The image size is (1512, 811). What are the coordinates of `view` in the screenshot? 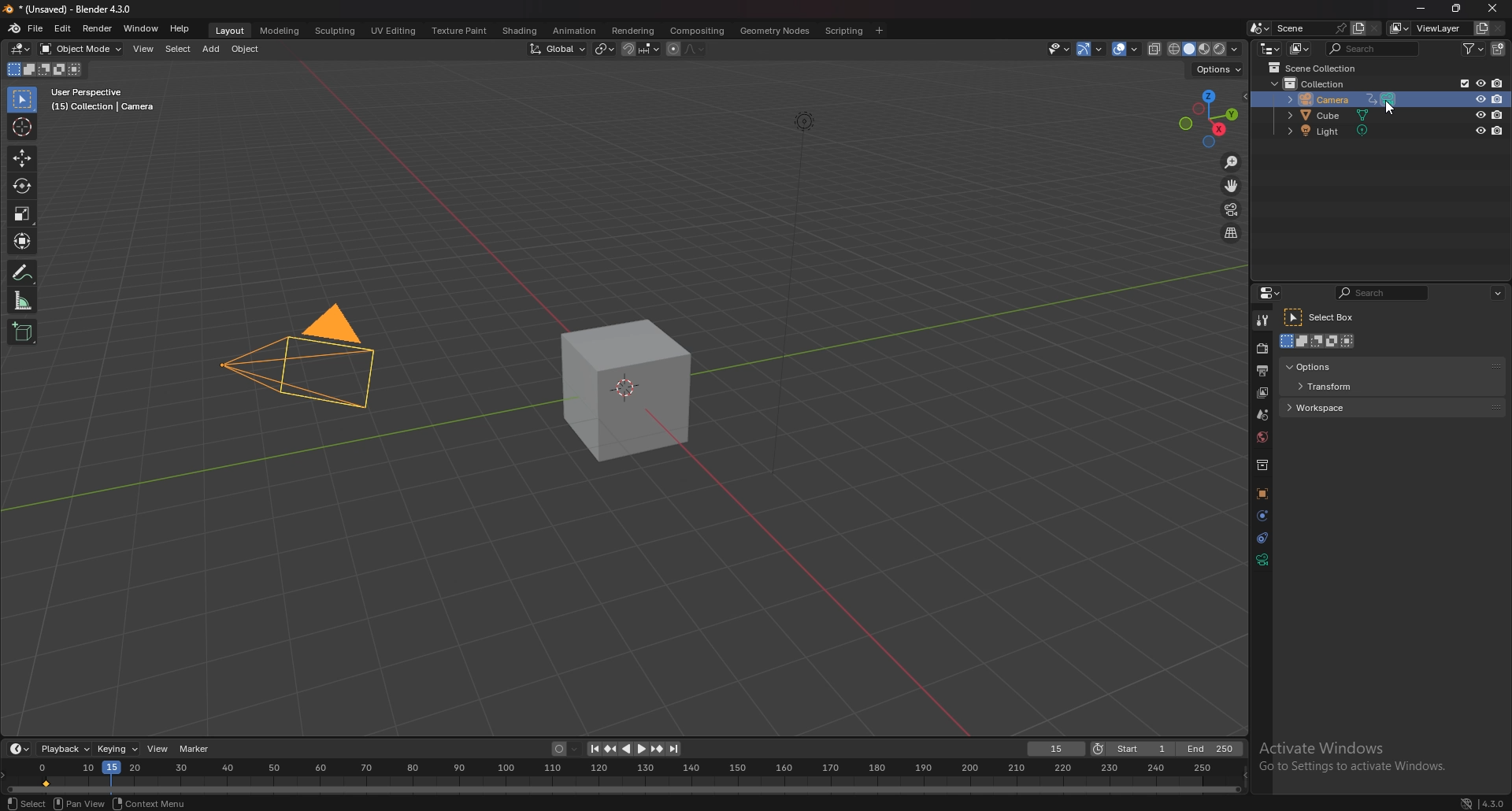 It's located at (157, 749).